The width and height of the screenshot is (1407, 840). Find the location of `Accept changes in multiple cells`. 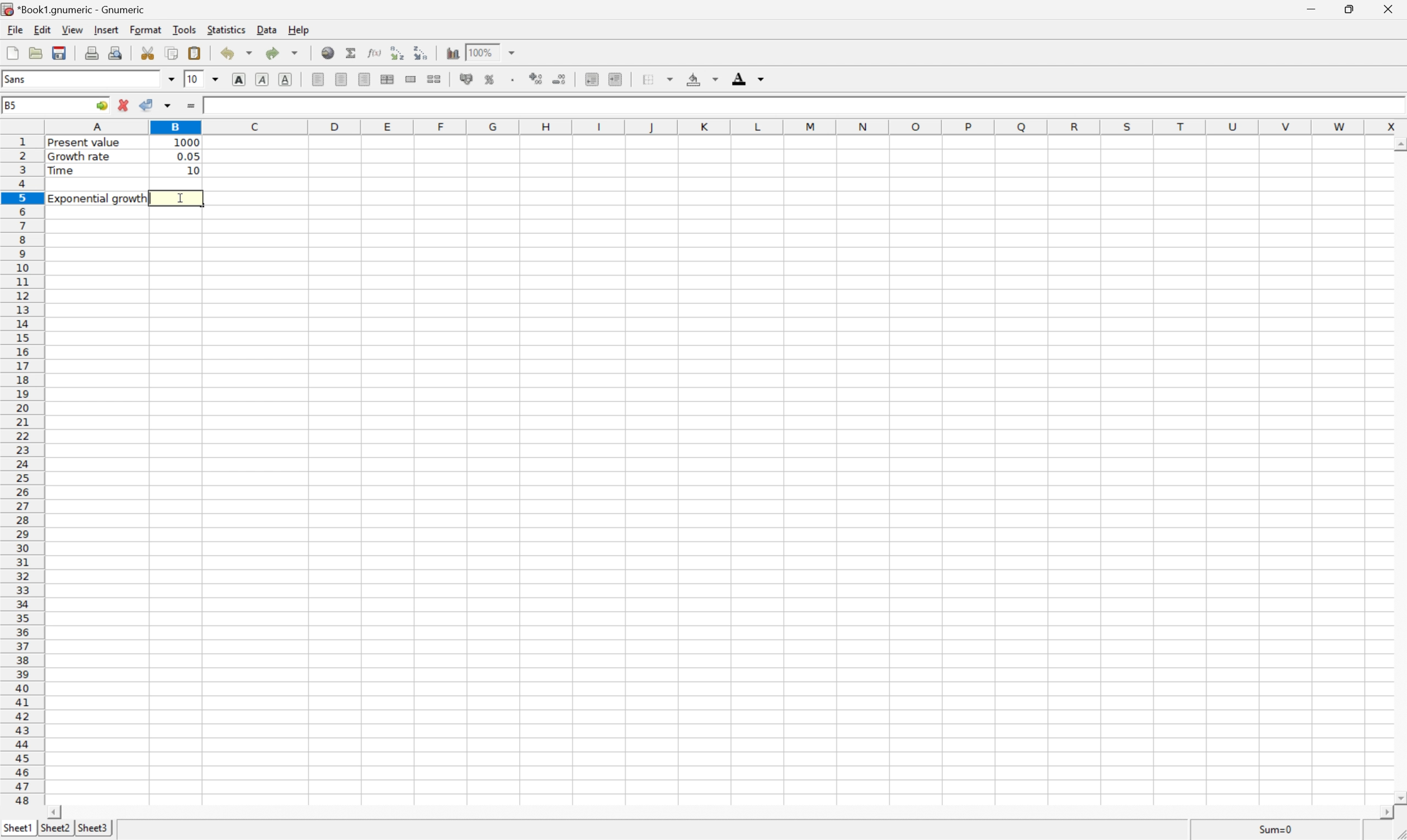

Accept changes in multiple cells is located at coordinates (167, 105).